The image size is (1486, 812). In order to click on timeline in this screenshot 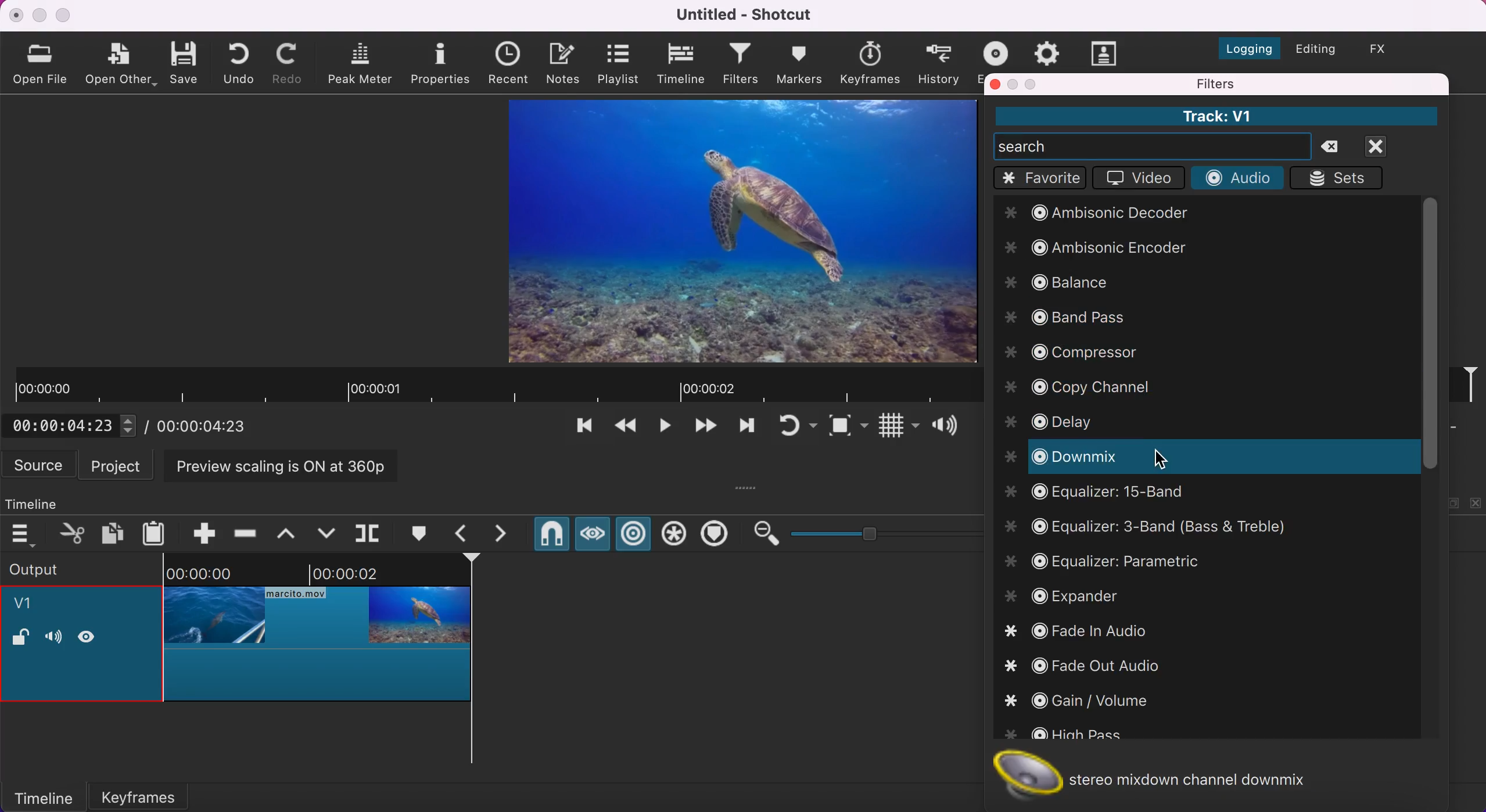, I will do `click(683, 64)`.